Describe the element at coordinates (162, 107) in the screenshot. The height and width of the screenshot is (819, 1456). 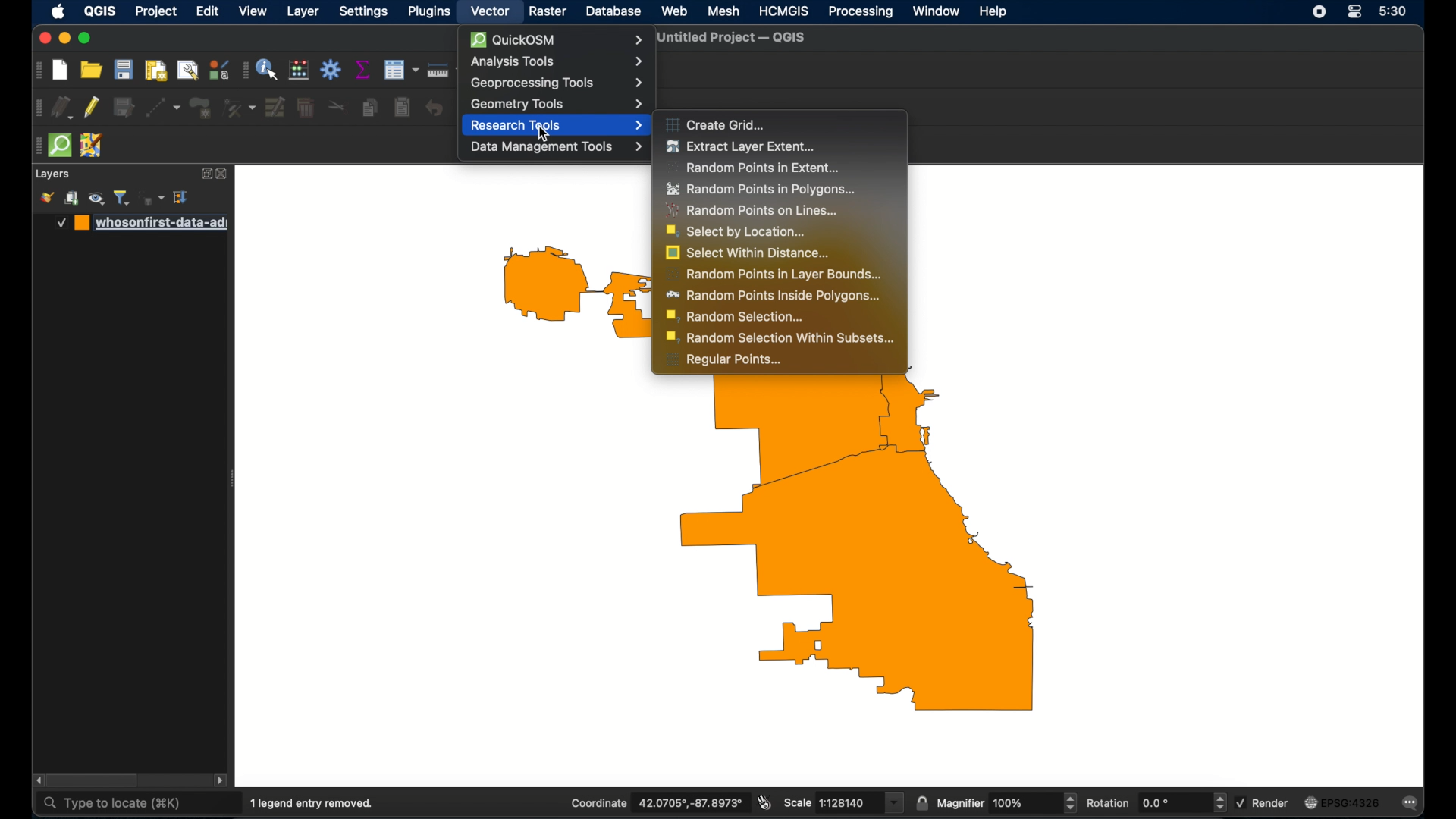
I see `digitized ithsegment` at that location.